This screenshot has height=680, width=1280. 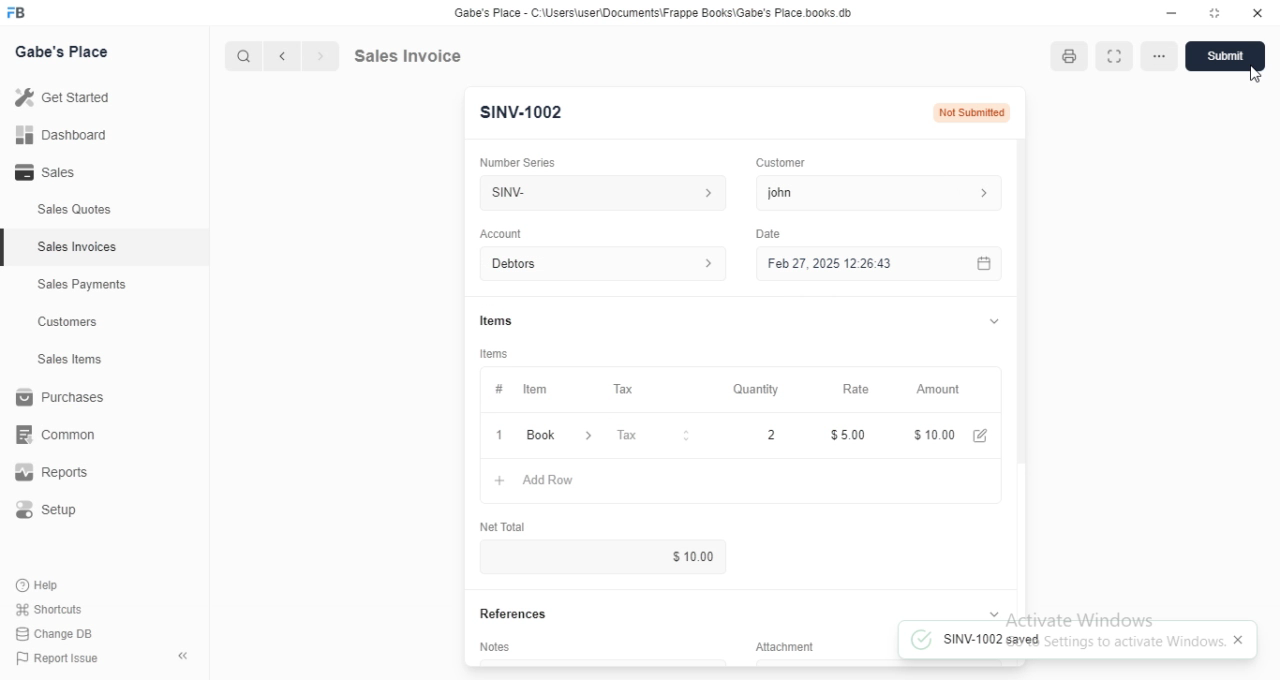 What do you see at coordinates (48, 171) in the screenshot?
I see `Sales` at bounding box center [48, 171].